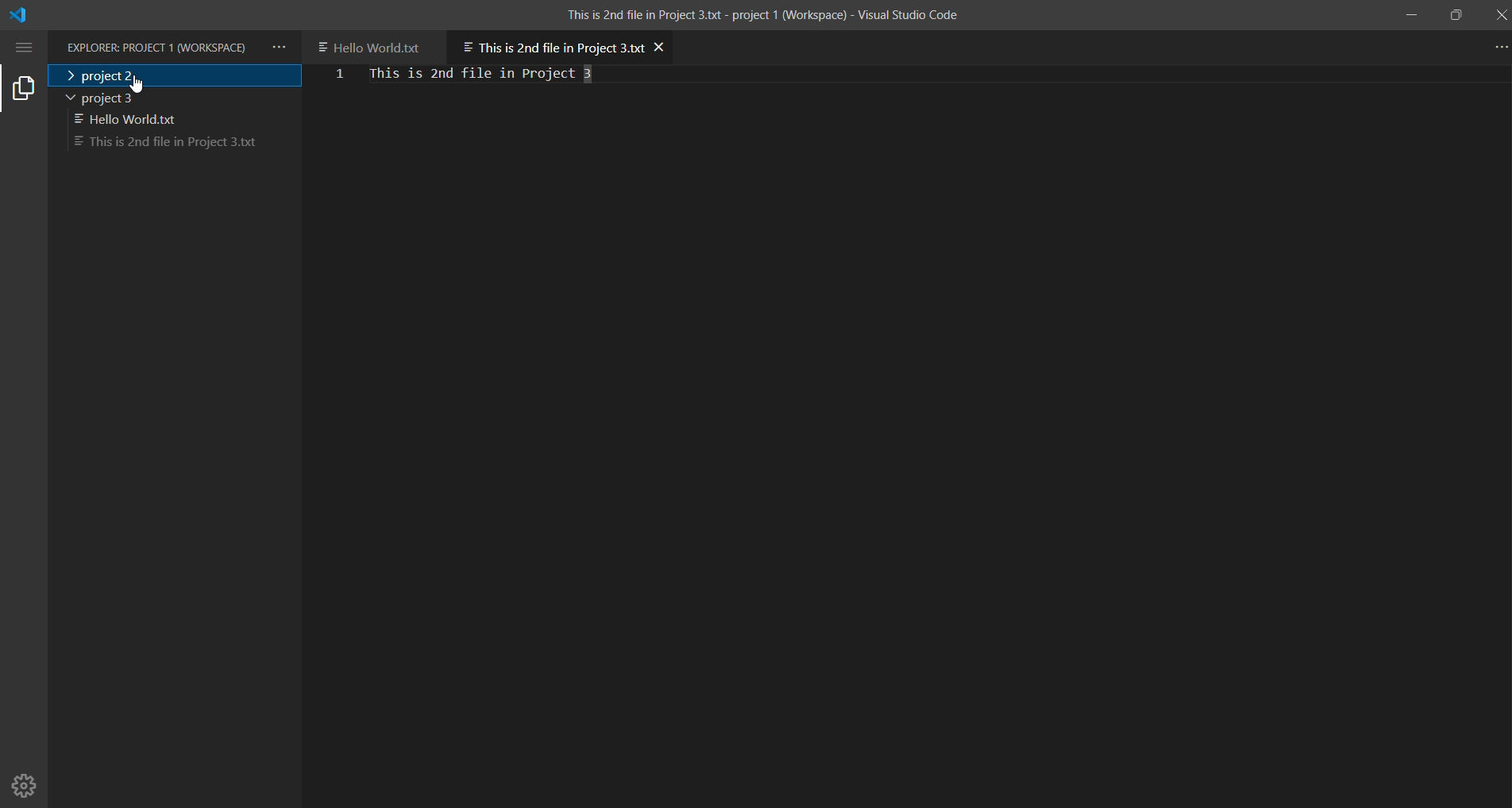 This screenshot has width=1512, height=808. I want to click on close, so click(1499, 14).